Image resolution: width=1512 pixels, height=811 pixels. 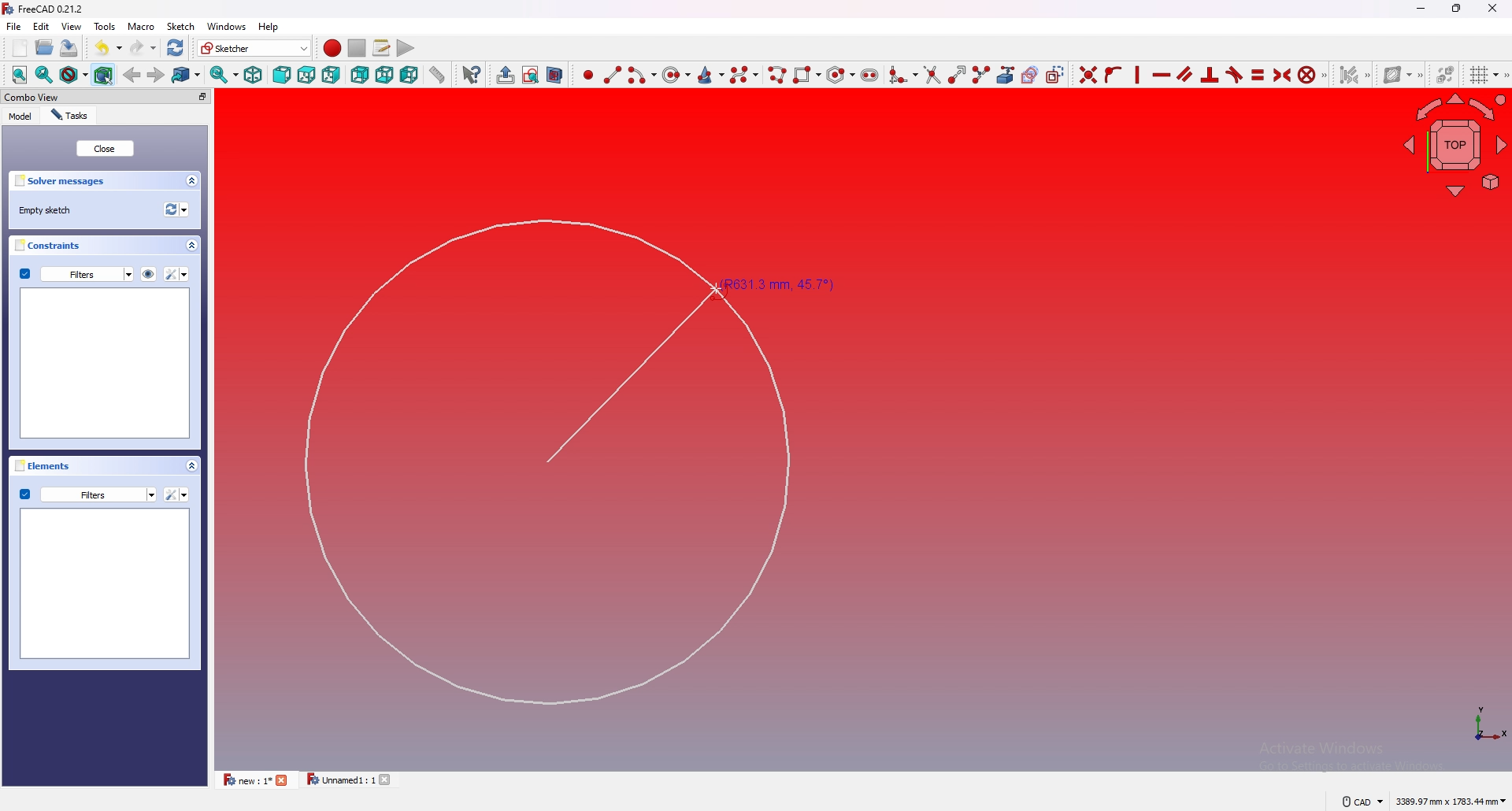 I want to click on create fillet, so click(x=902, y=74).